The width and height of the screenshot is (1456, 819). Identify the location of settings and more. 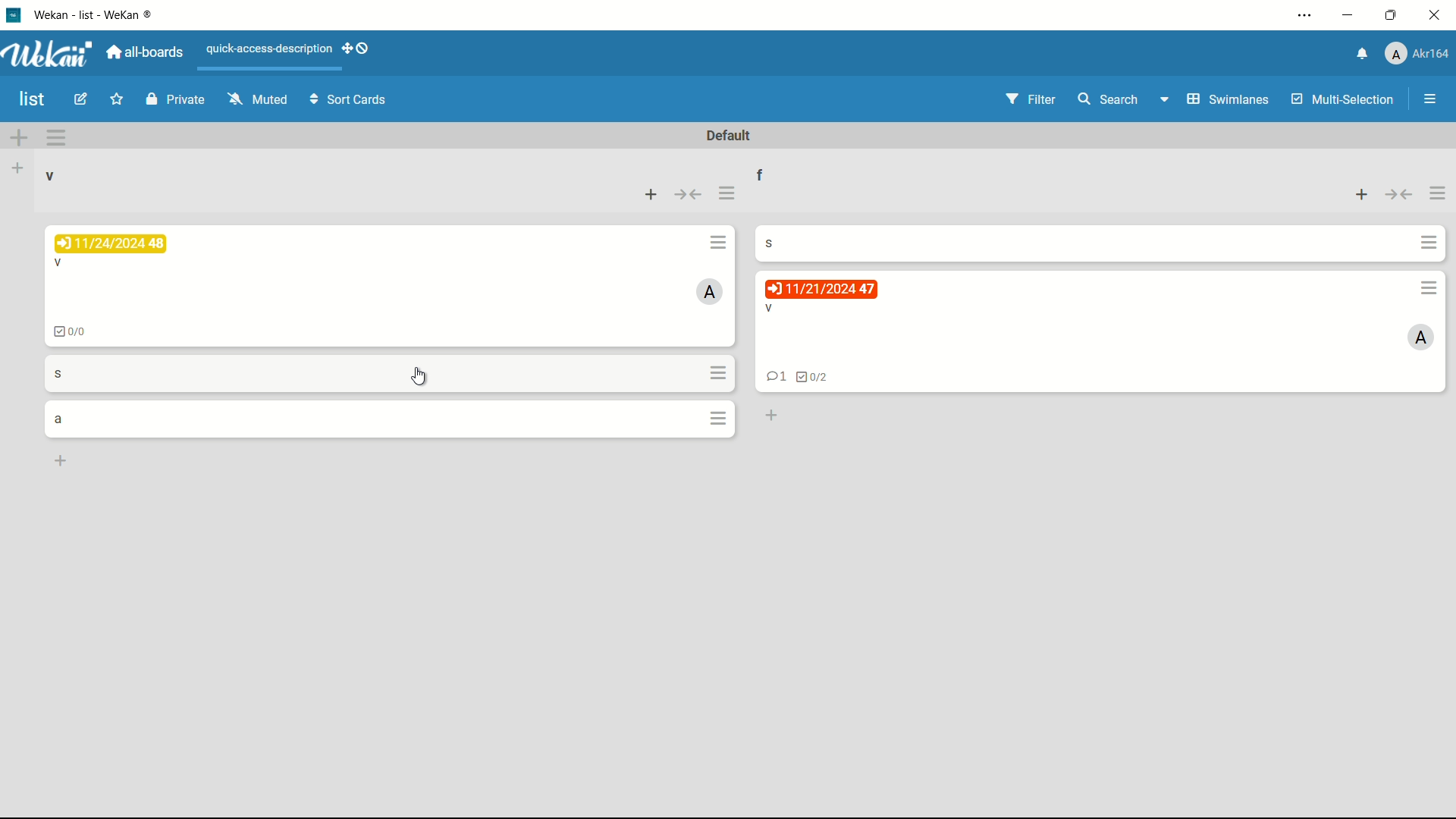
(1304, 14).